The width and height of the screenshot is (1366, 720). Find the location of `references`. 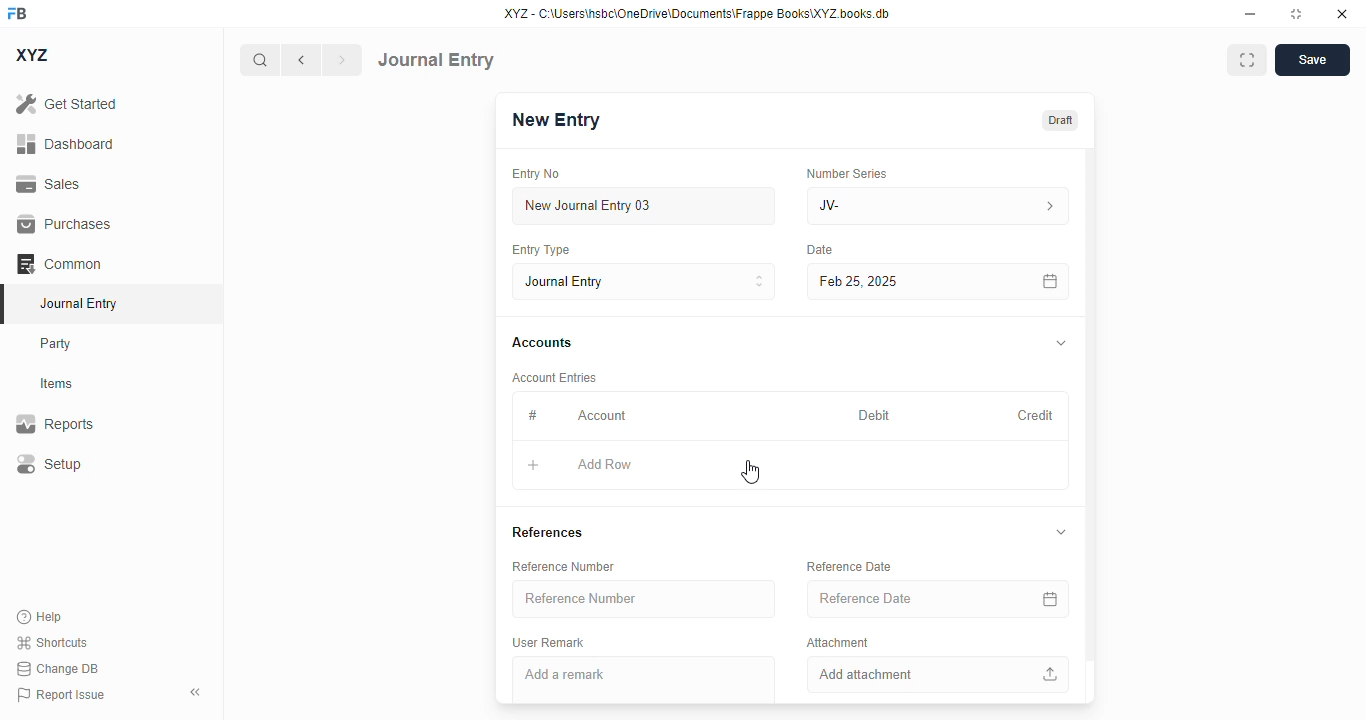

references is located at coordinates (548, 532).